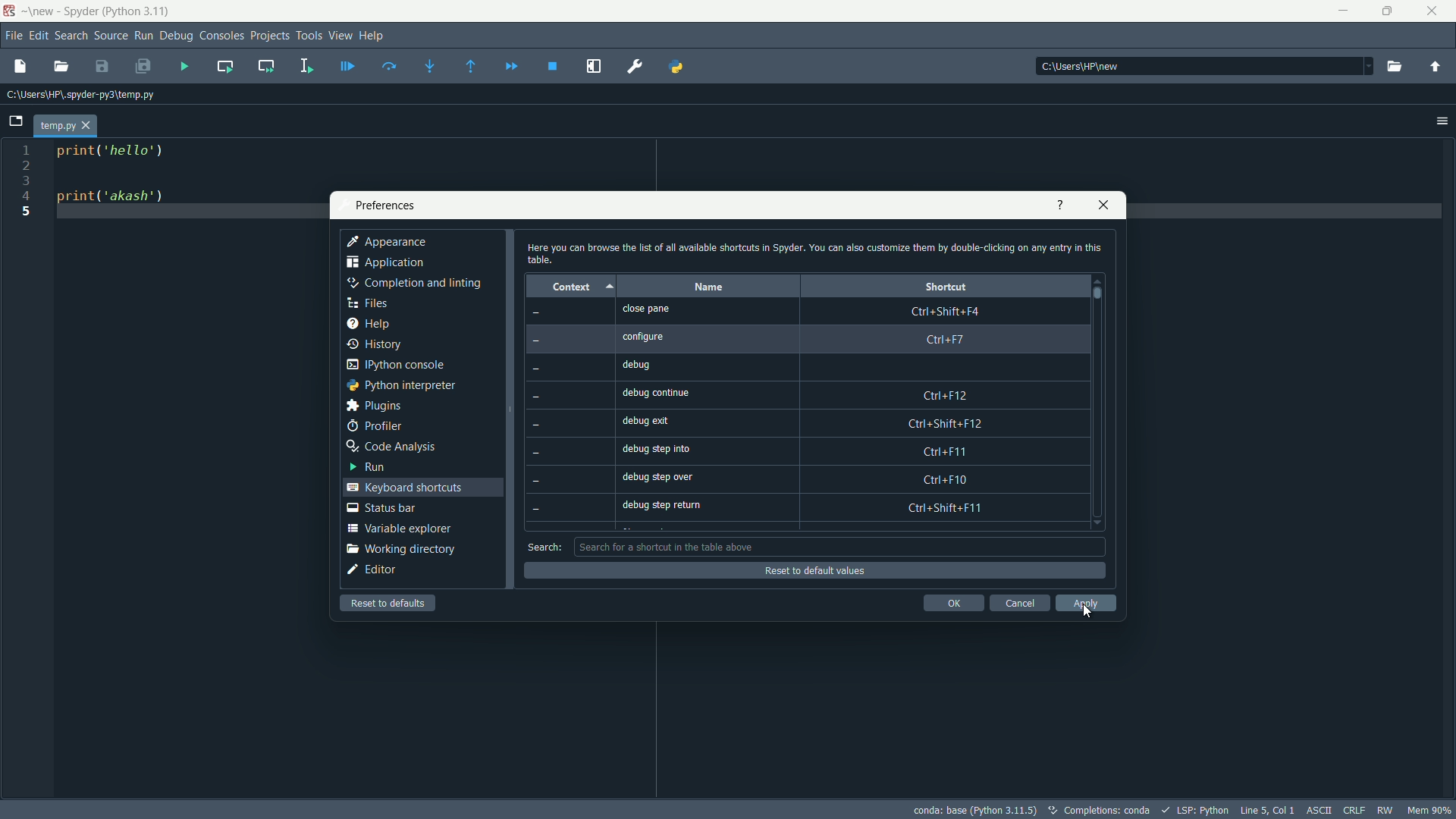 Image resolution: width=1456 pixels, height=819 pixels. I want to click on stop debugging, so click(553, 66).